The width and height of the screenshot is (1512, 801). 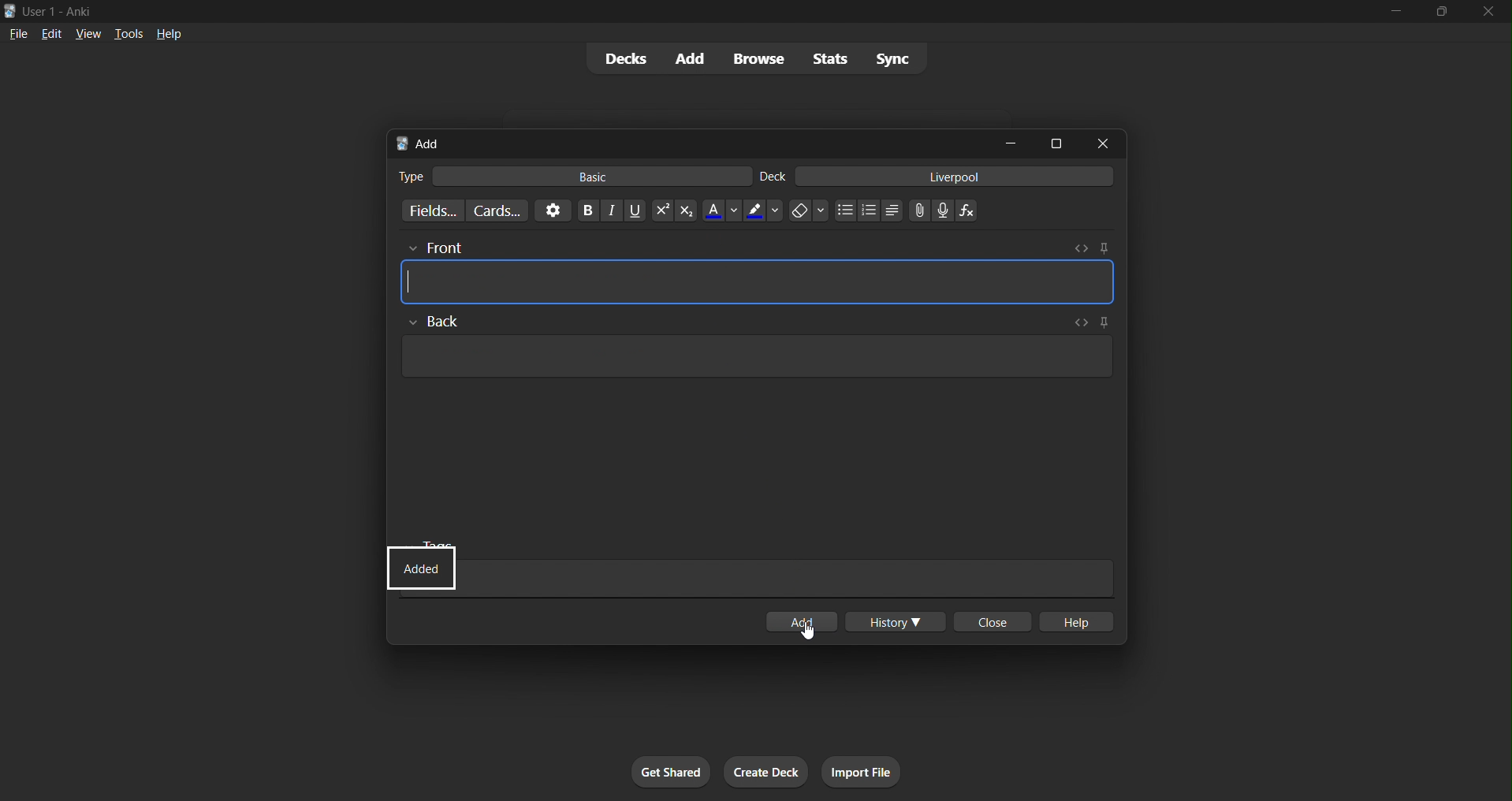 I want to click on edit, so click(x=50, y=32).